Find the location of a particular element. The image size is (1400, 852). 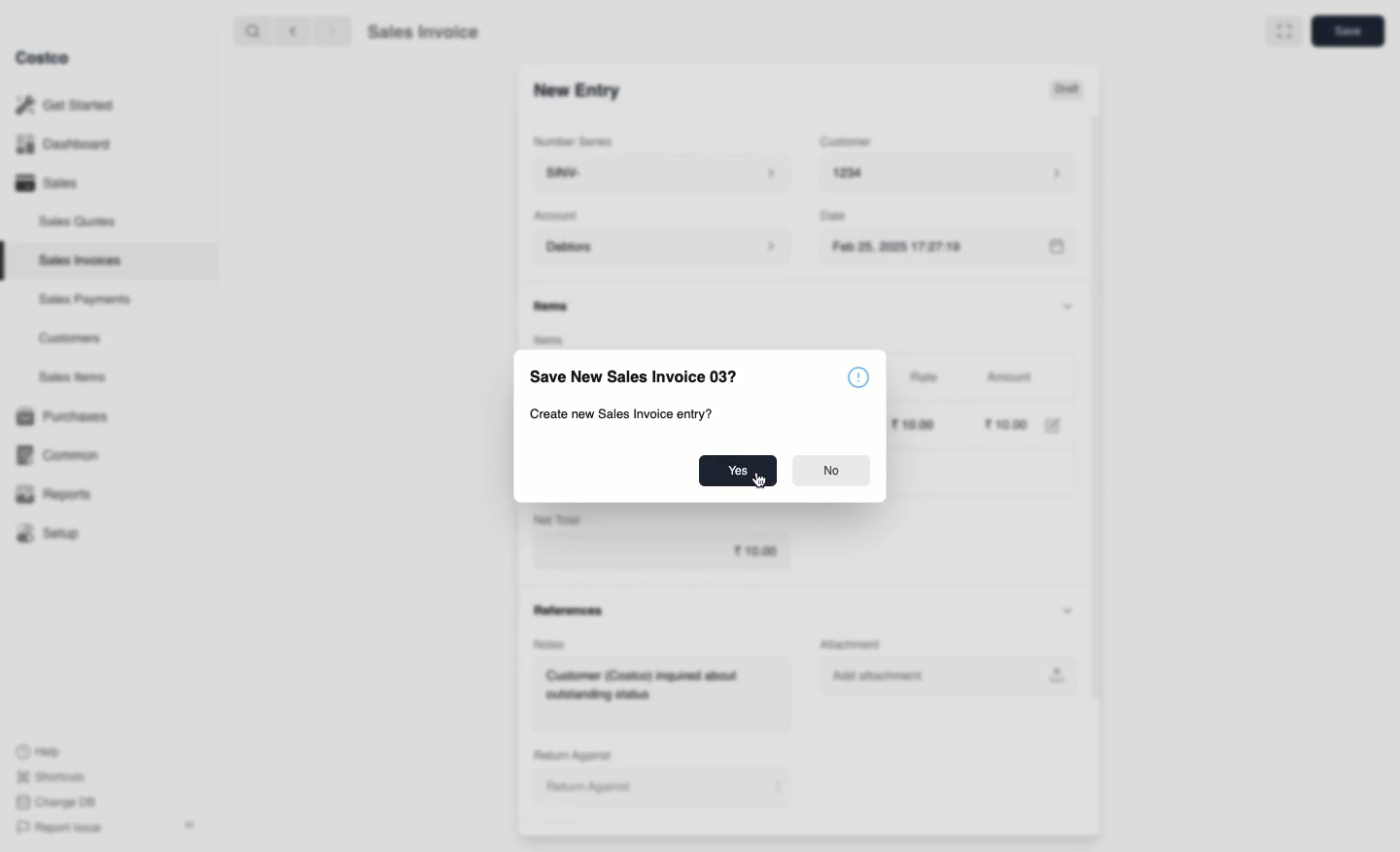

Number Series is located at coordinates (574, 141).